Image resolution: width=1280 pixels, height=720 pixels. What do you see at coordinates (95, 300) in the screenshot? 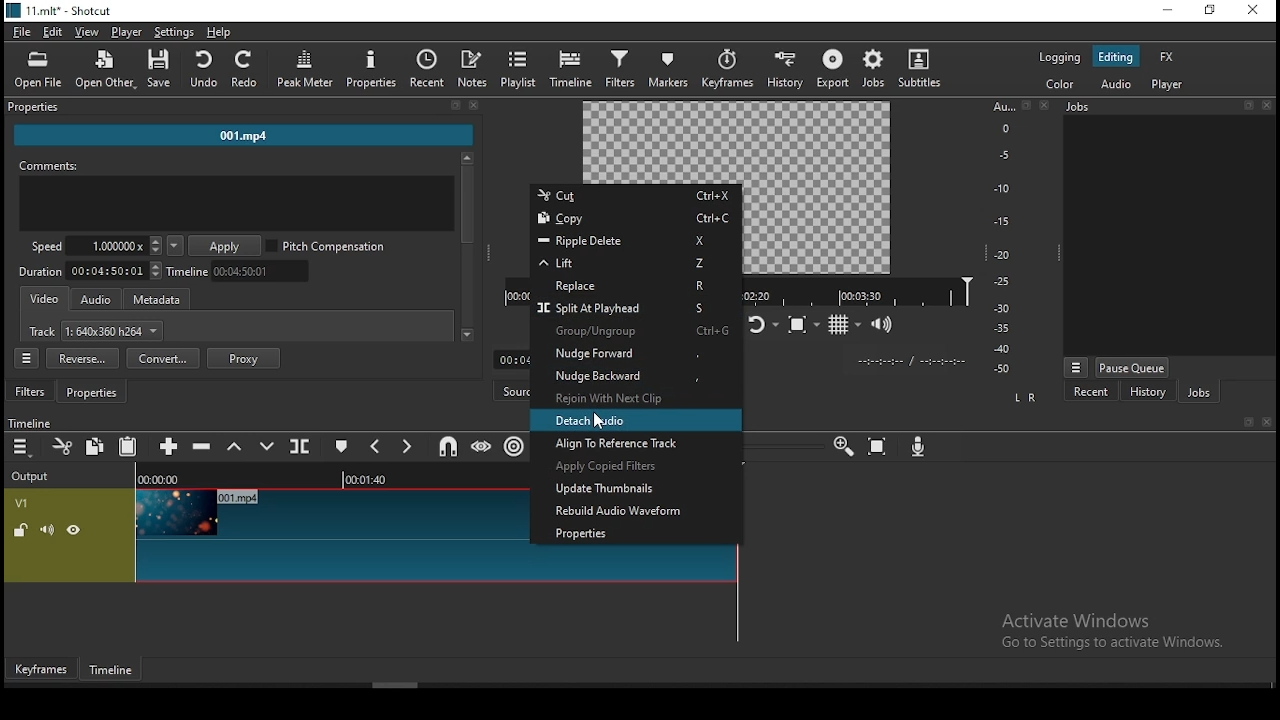
I see `audio` at bounding box center [95, 300].